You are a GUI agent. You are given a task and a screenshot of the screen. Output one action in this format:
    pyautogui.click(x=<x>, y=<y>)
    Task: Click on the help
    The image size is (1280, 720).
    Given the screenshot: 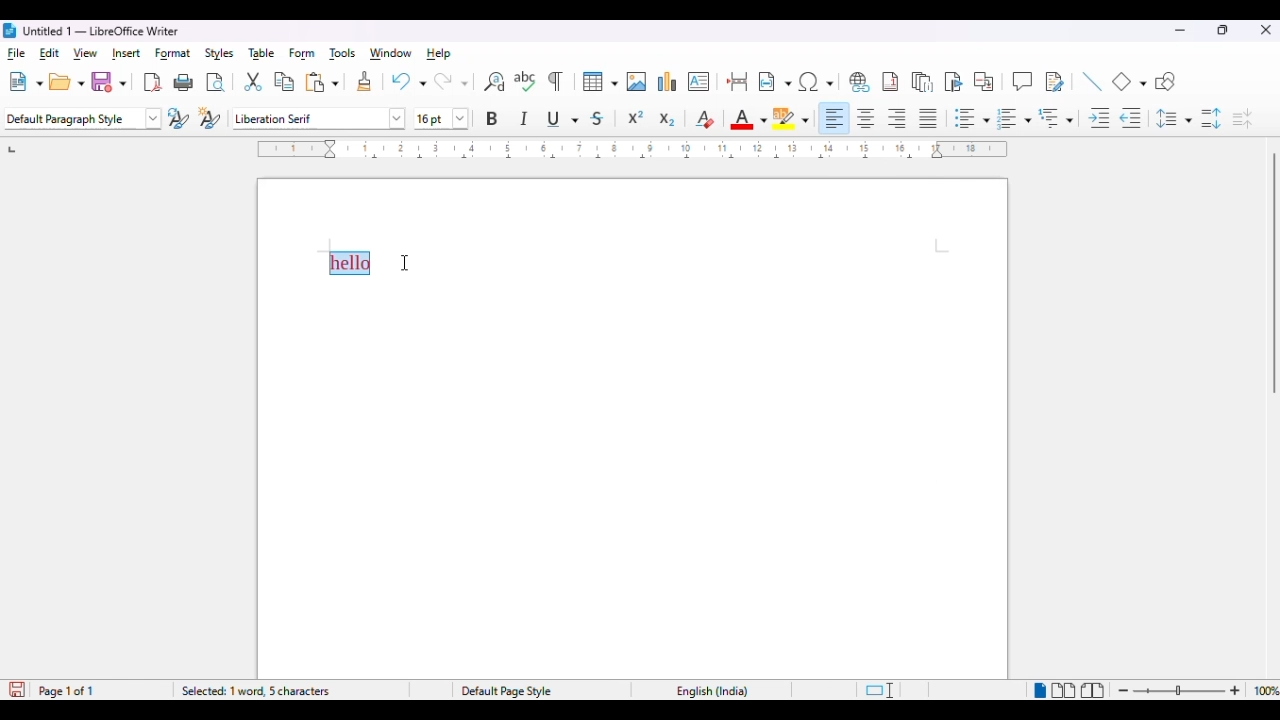 What is the action you would take?
    pyautogui.click(x=438, y=53)
    